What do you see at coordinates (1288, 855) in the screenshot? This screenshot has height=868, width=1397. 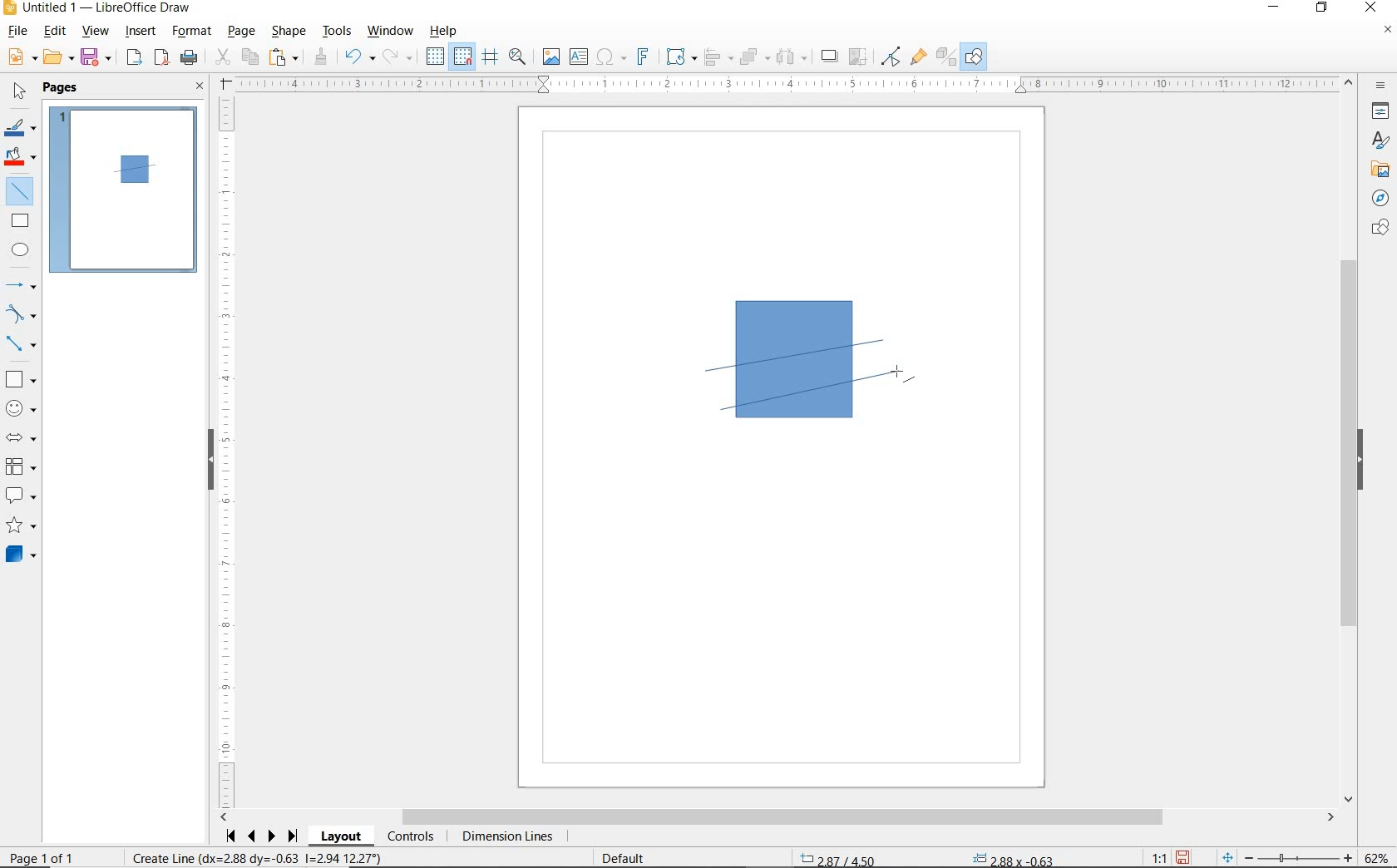 I see `ZOOM OUT OR ZOOM IN` at bounding box center [1288, 855].